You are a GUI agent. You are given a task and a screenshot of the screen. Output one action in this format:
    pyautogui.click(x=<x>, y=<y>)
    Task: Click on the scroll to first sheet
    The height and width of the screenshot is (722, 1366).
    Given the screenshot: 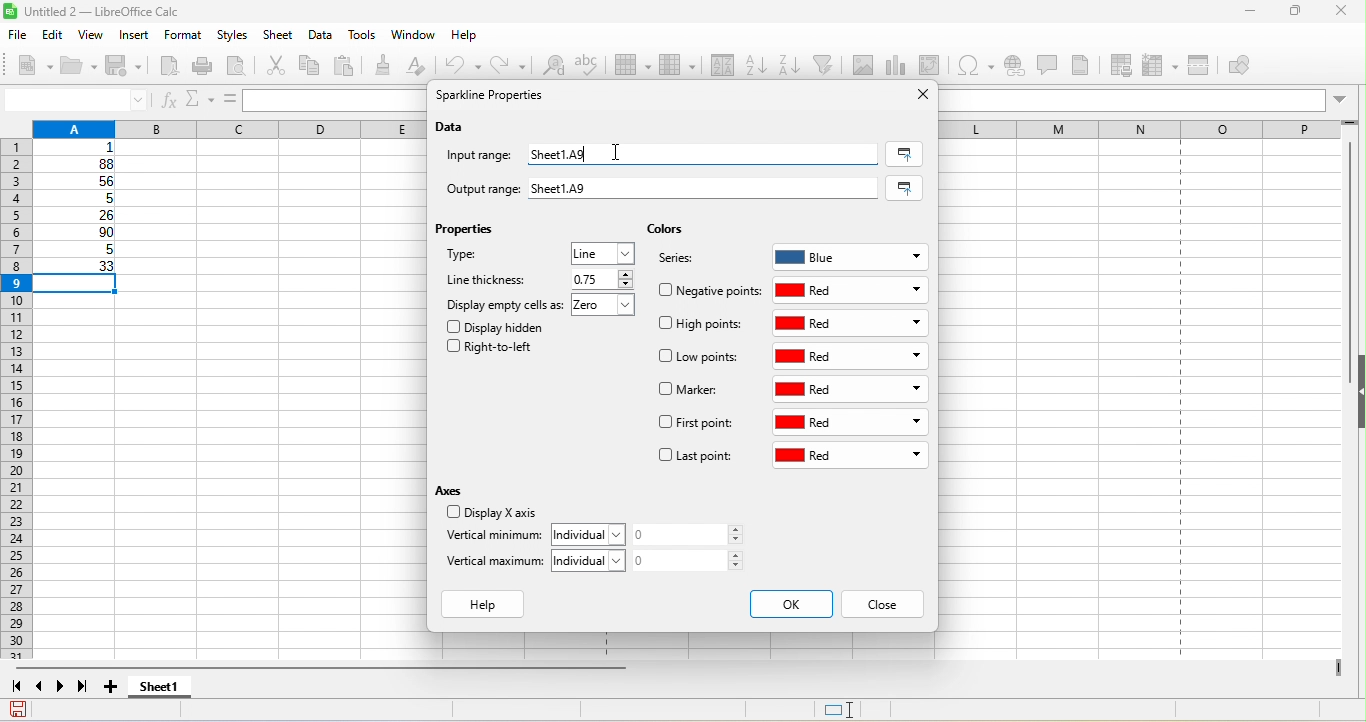 What is the action you would take?
    pyautogui.click(x=16, y=687)
    